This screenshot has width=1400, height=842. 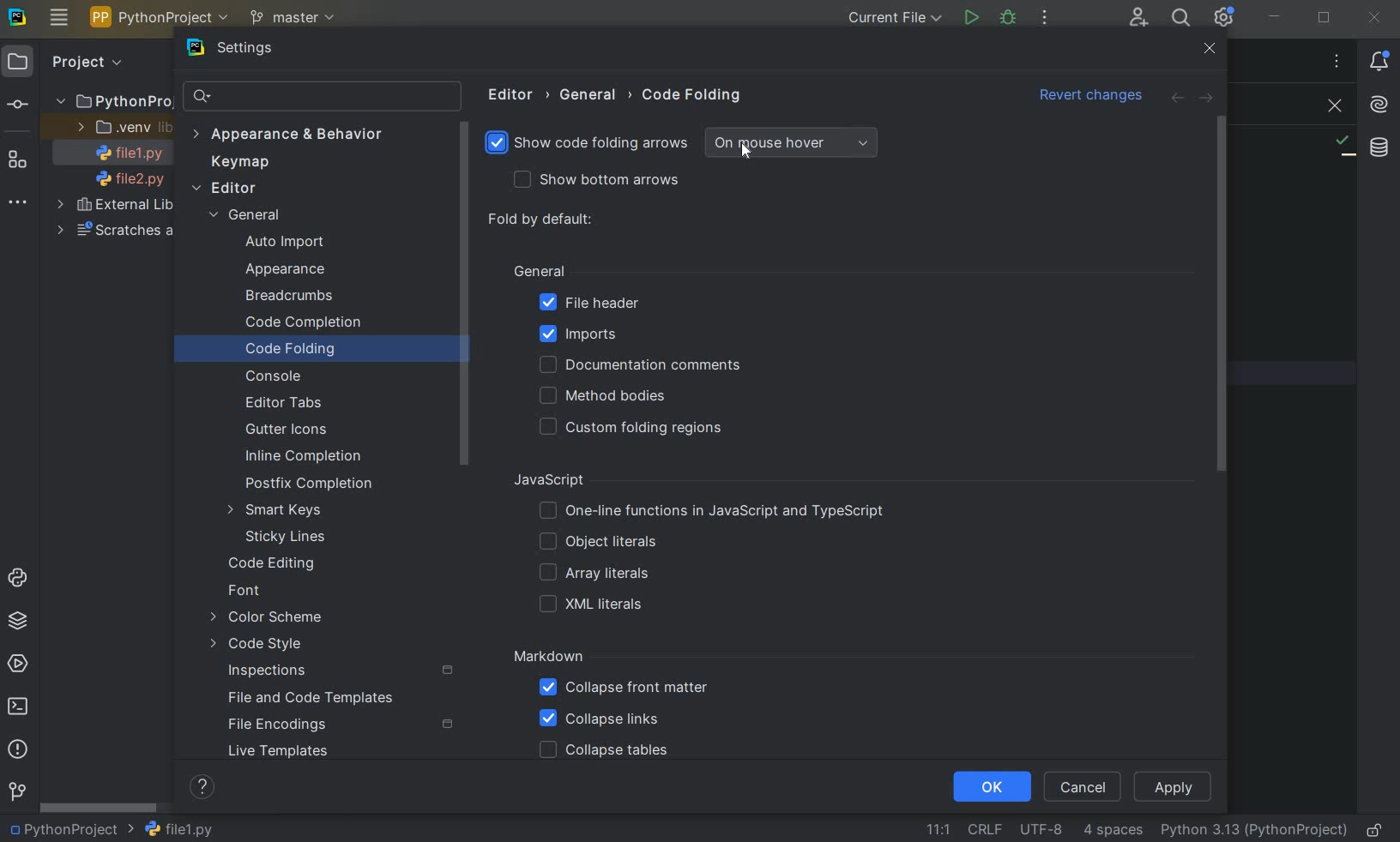 What do you see at coordinates (637, 428) in the screenshot?
I see `CUSTOM FOLDING REGIONS` at bounding box center [637, 428].